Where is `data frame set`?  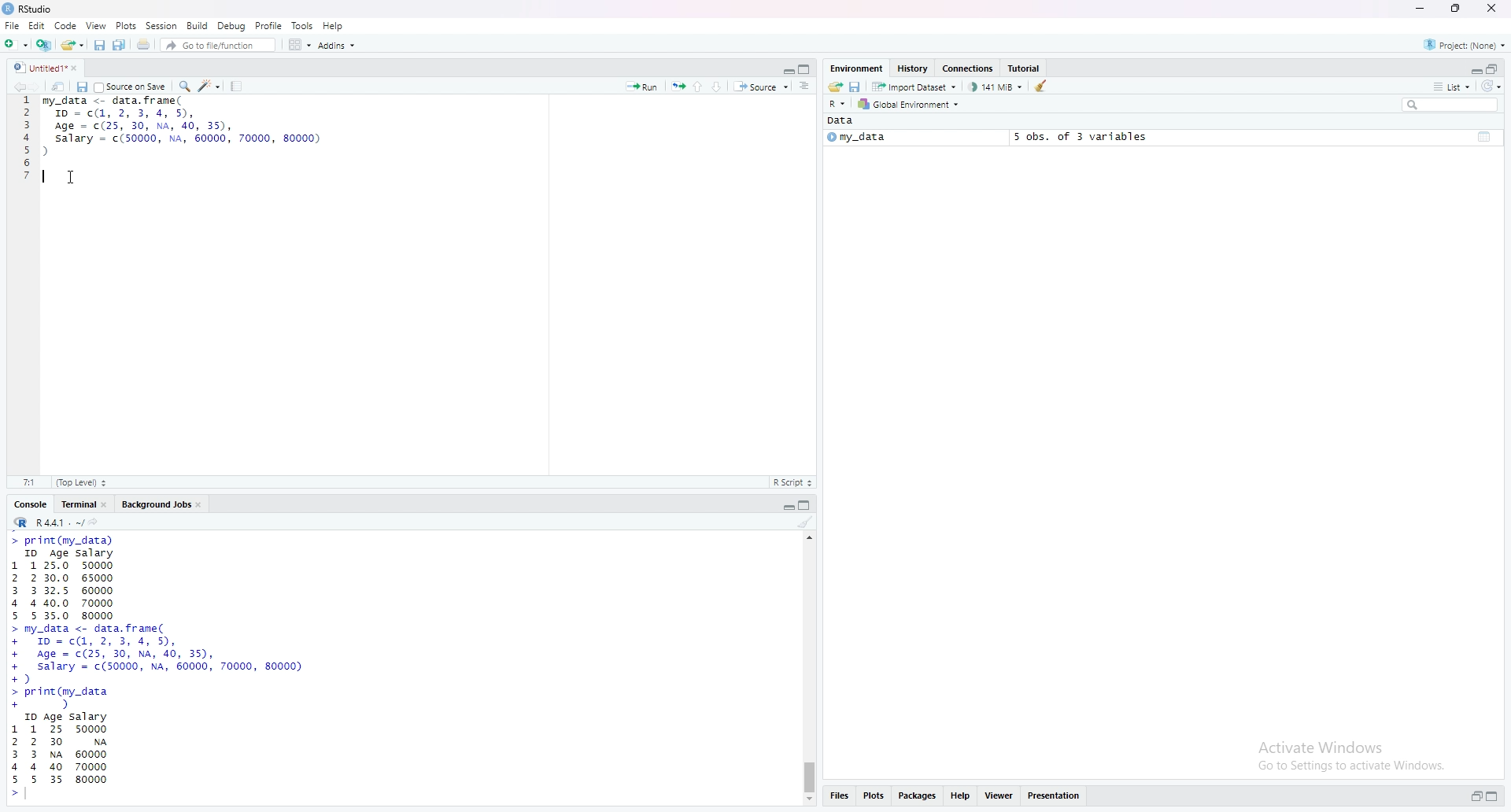 data frame set is located at coordinates (161, 667).